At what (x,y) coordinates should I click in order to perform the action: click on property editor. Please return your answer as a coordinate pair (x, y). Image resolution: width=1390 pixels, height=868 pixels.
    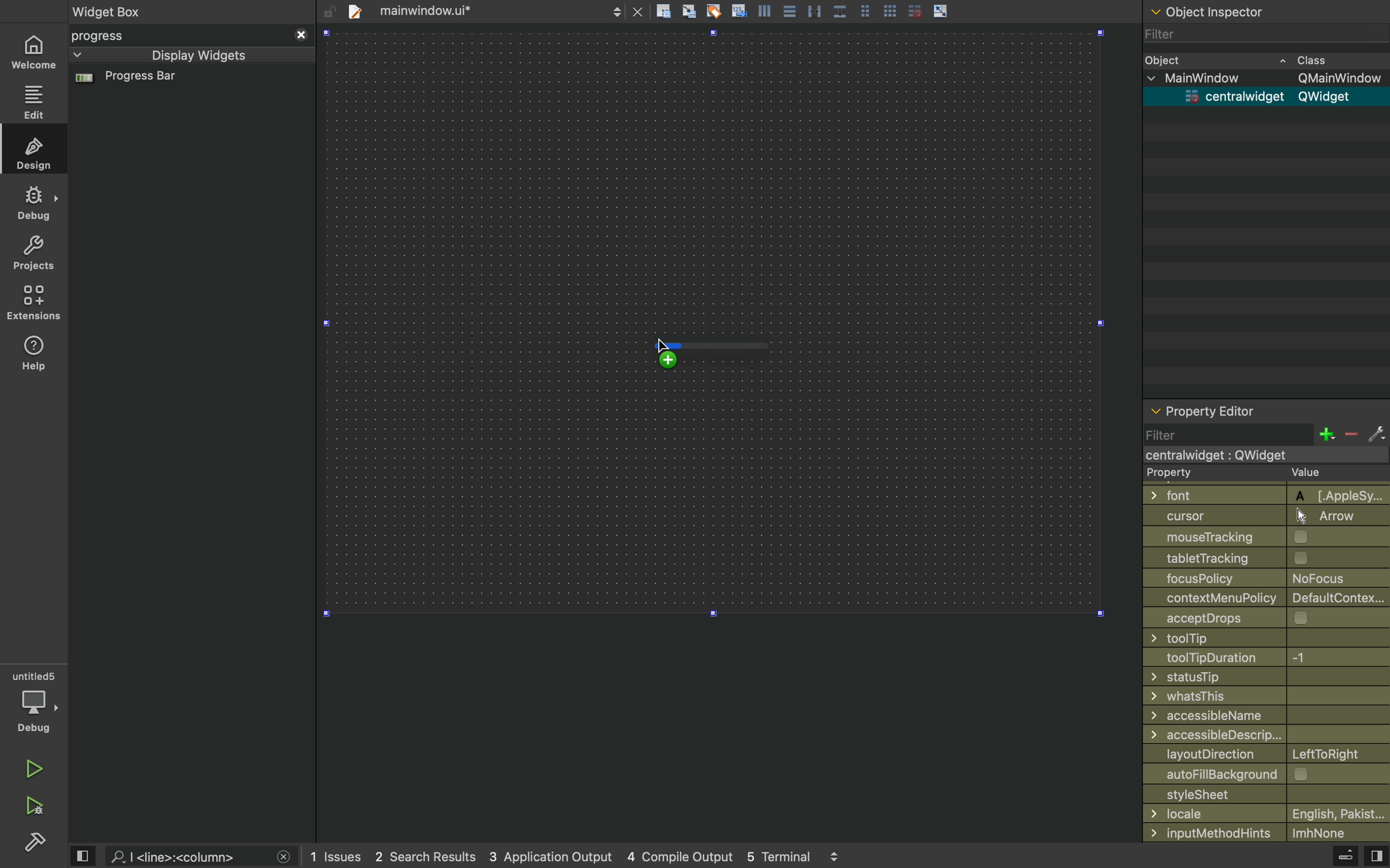
    Looking at the image, I should click on (1266, 413).